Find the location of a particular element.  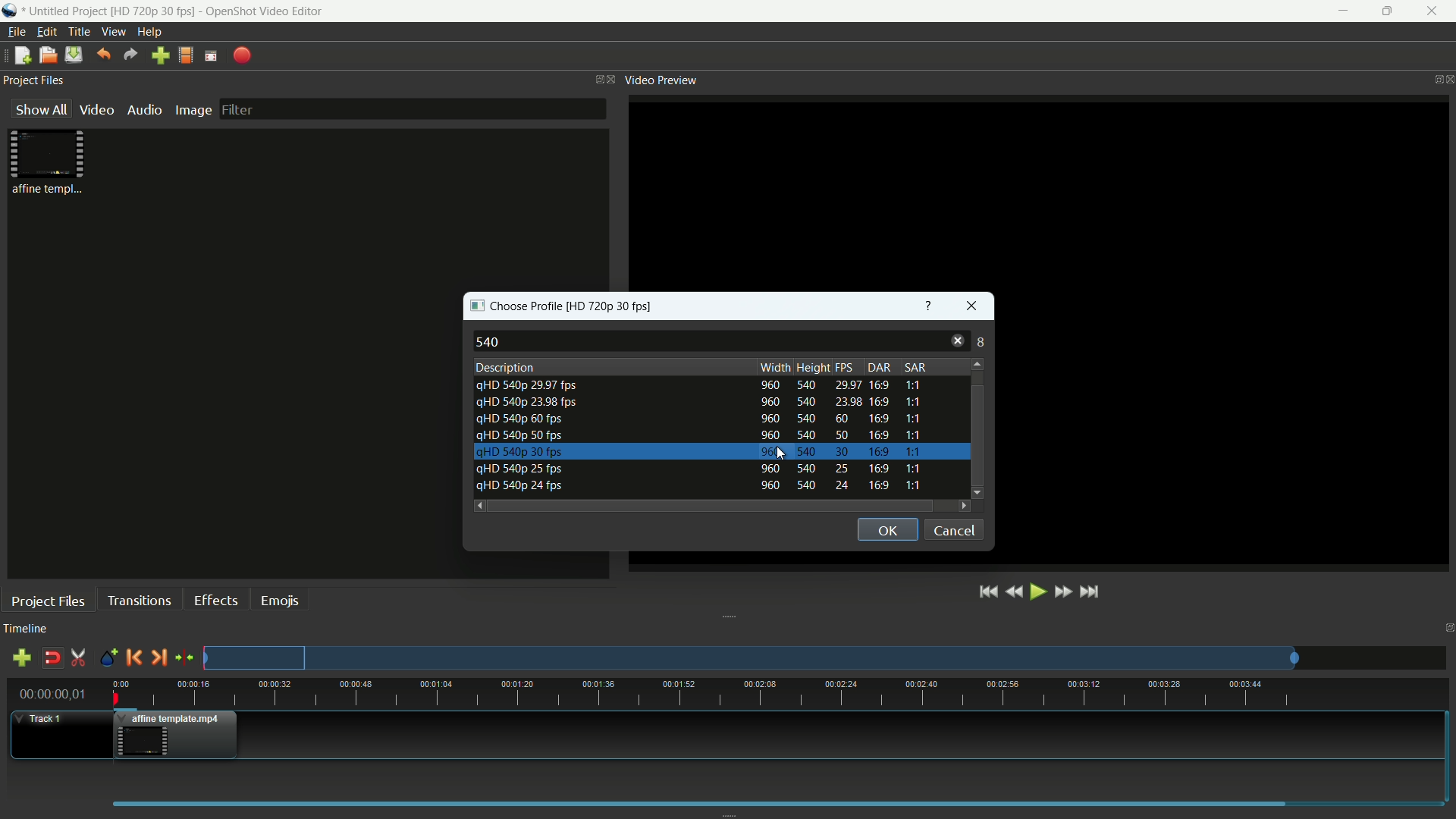

project files is located at coordinates (47, 602).